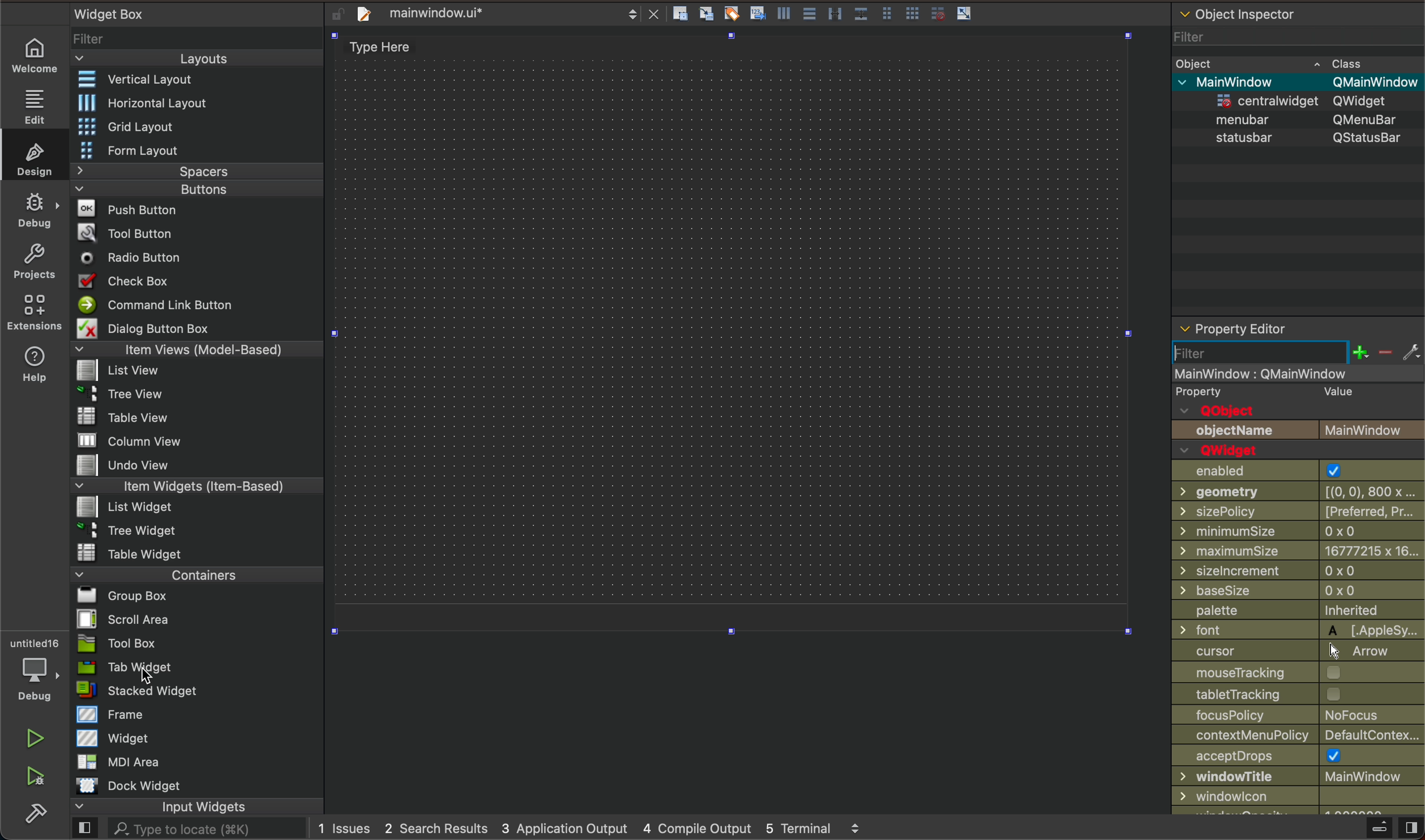 This screenshot has height=840, width=1425. I want to click on size policy, so click(1299, 511).